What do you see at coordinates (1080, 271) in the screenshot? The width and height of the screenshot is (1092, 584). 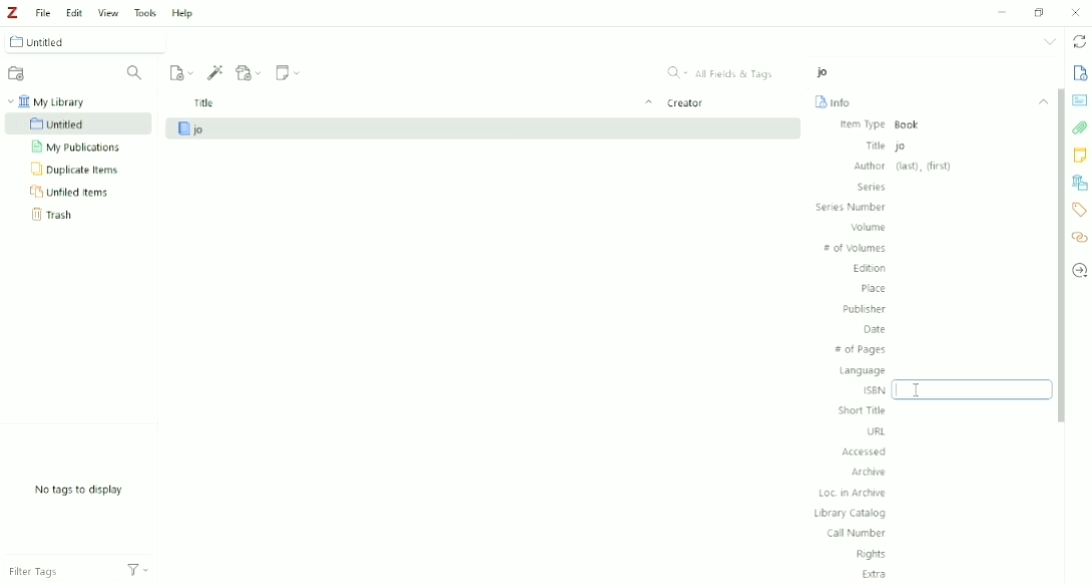 I see `Locate` at bounding box center [1080, 271].